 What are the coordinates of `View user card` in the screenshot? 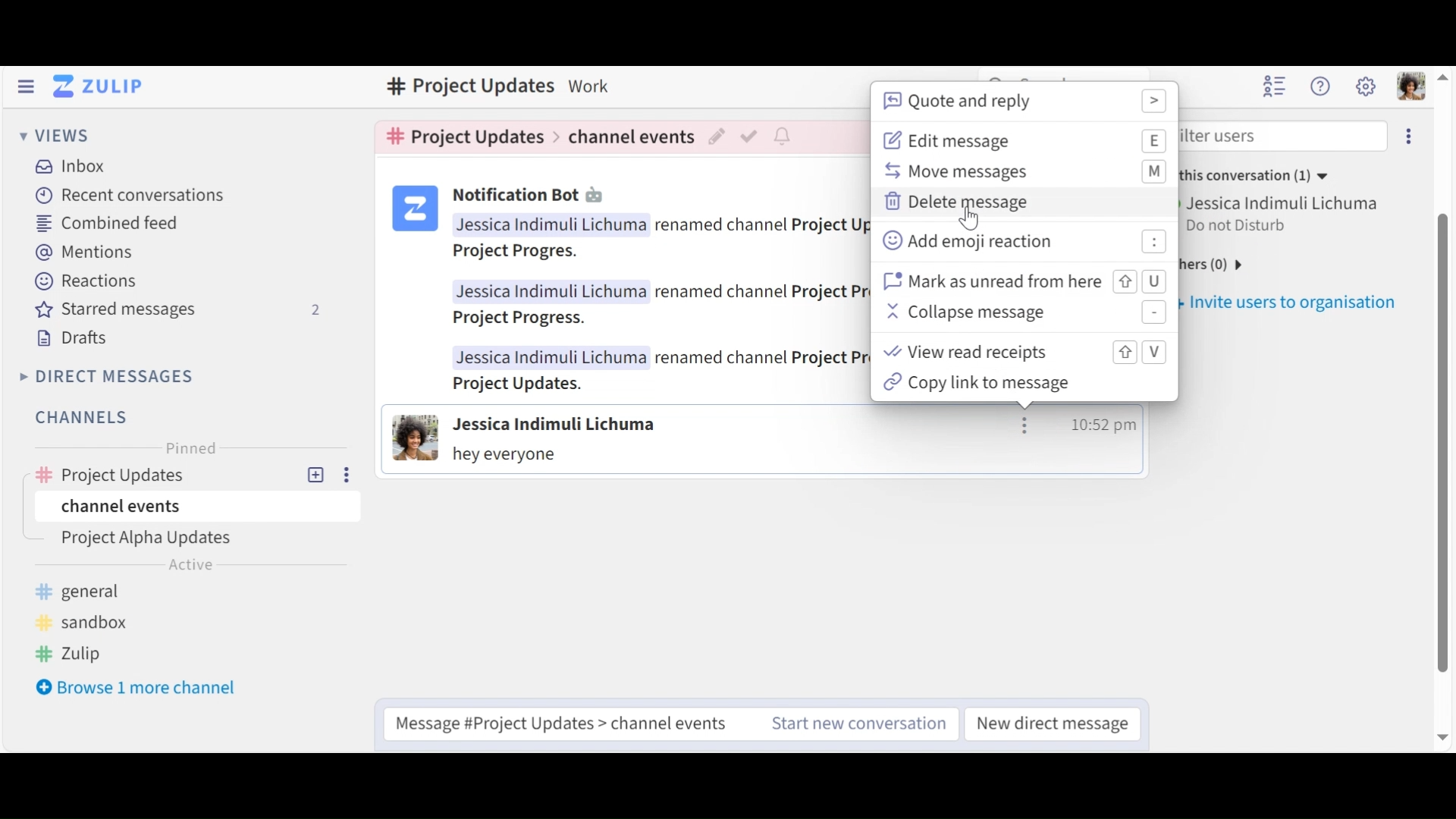 It's located at (557, 424).